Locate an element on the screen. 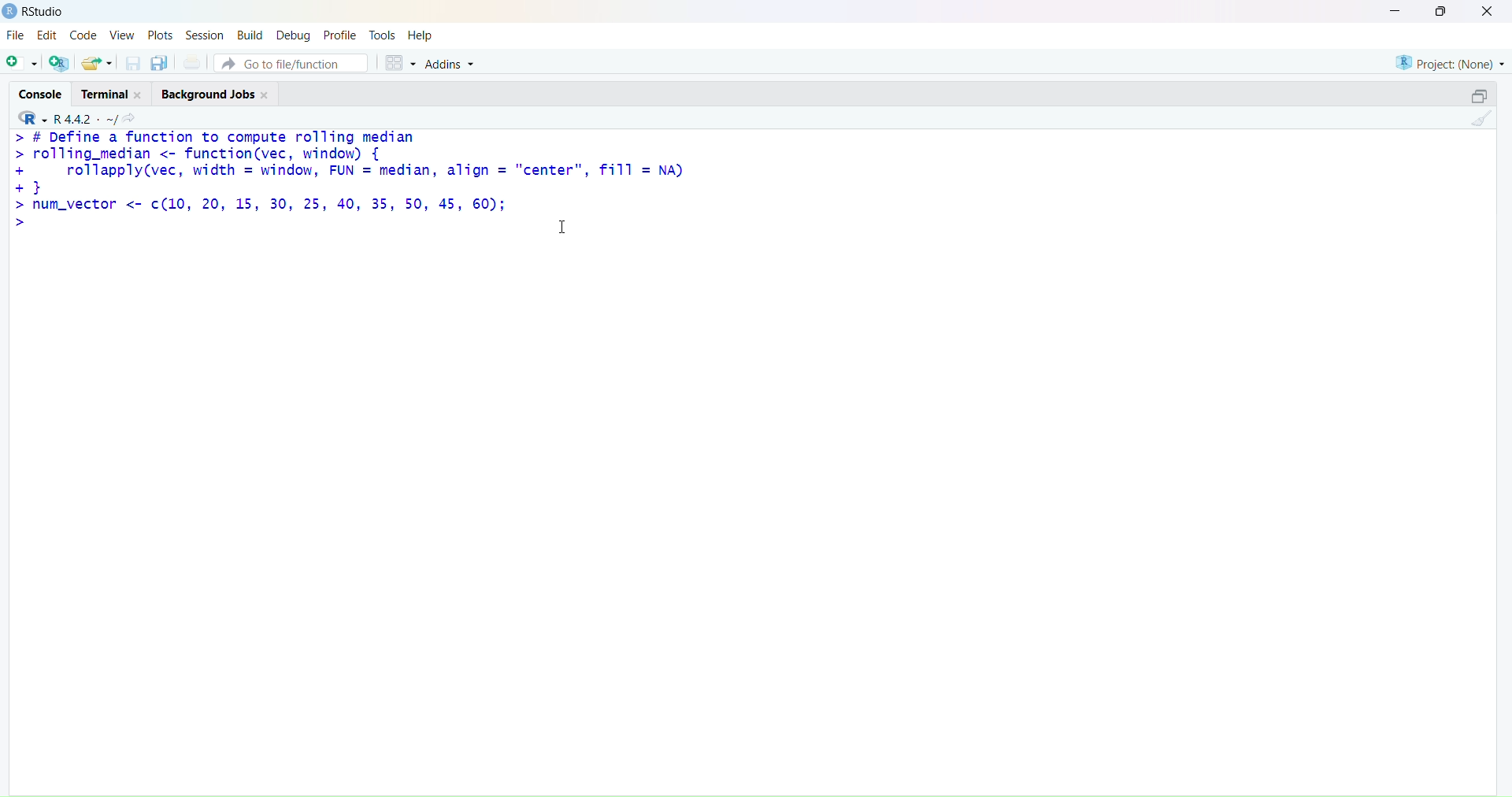 This screenshot has width=1512, height=797. code is located at coordinates (84, 35).